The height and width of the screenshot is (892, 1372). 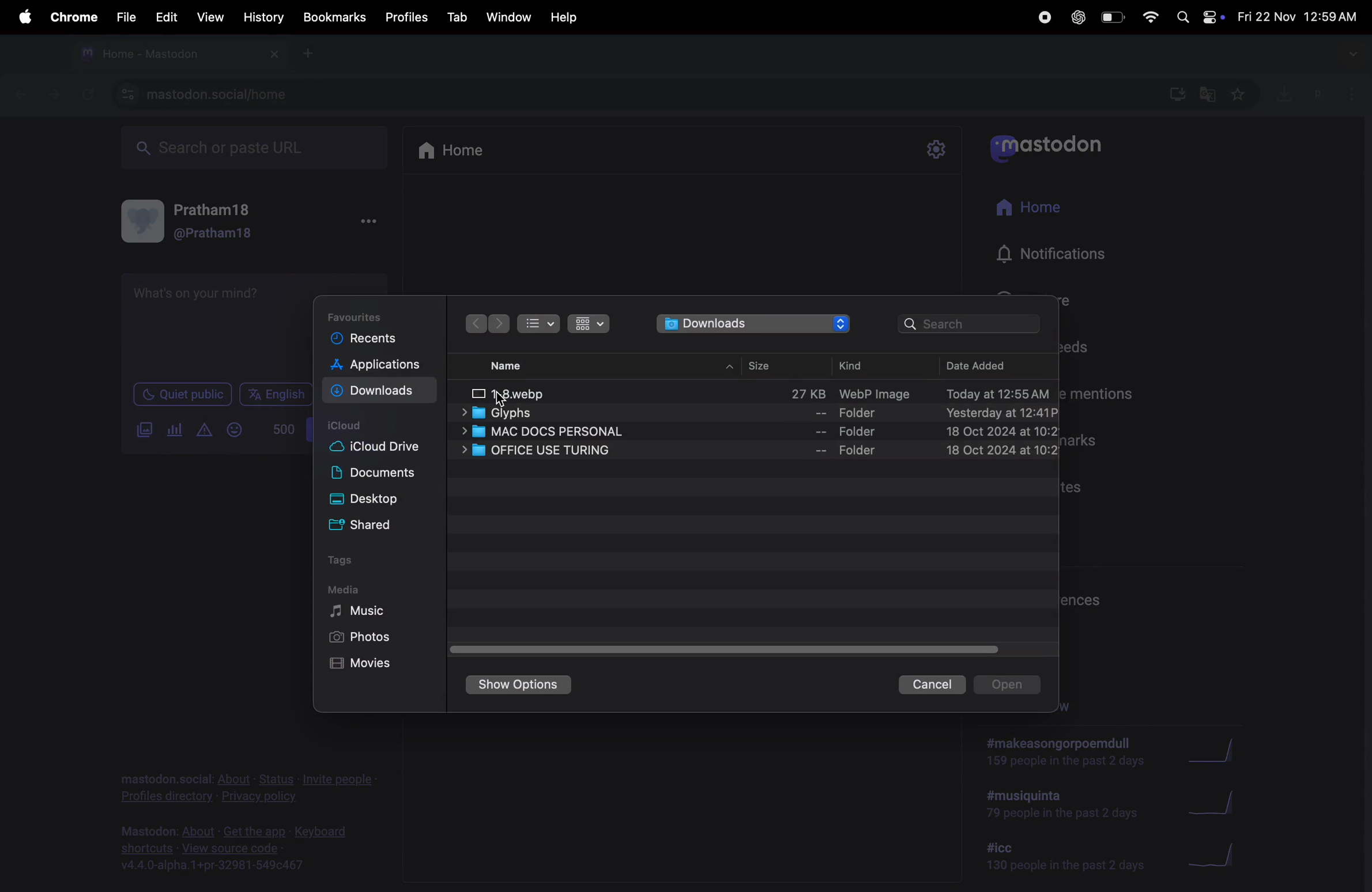 What do you see at coordinates (365, 338) in the screenshot?
I see `recents` at bounding box center [365, 338].